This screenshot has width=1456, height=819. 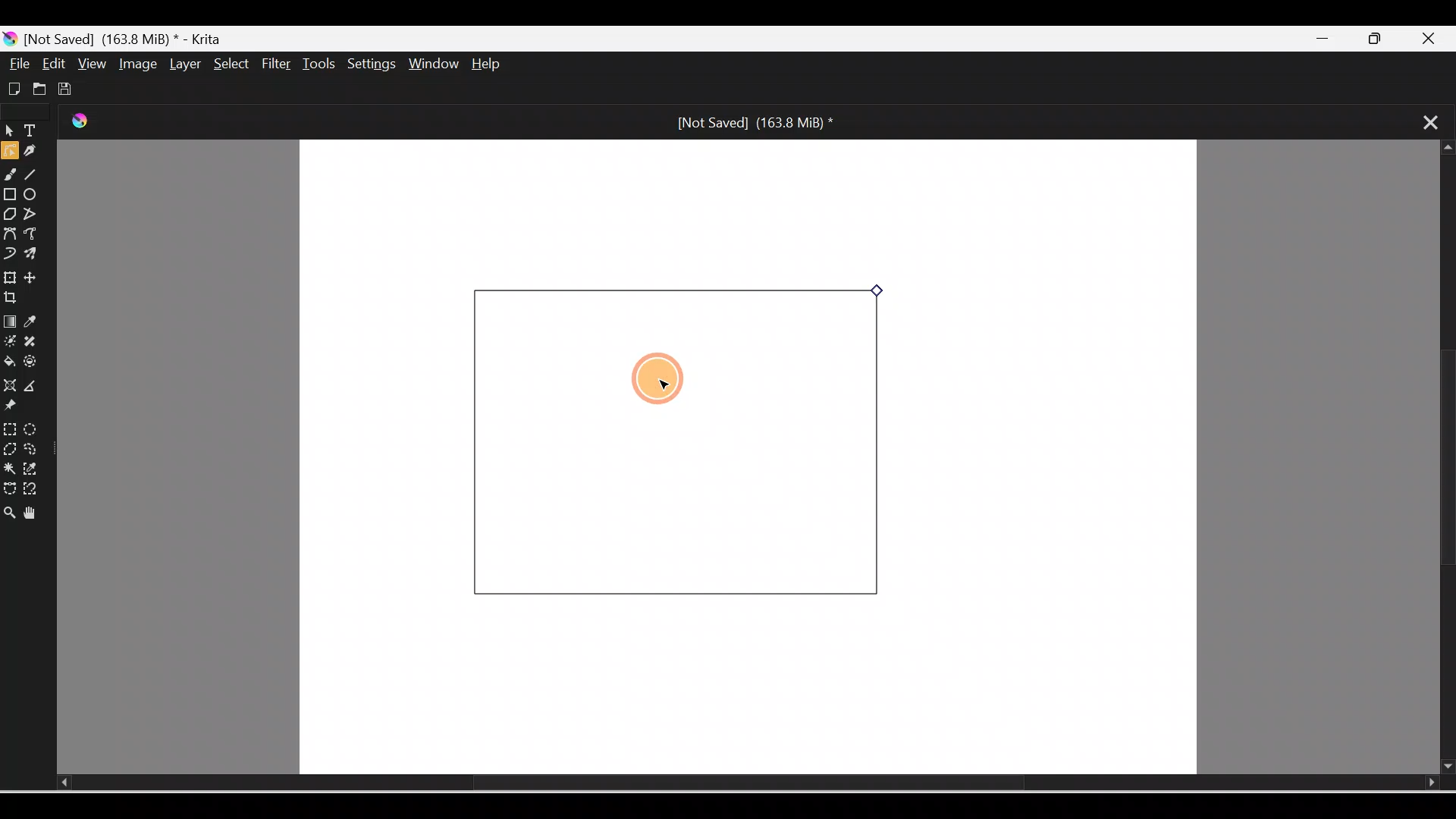 What do you see at coordinates (35, 196) in the screenshot?
I see `Ellipse` at bounding box center [35, 196].